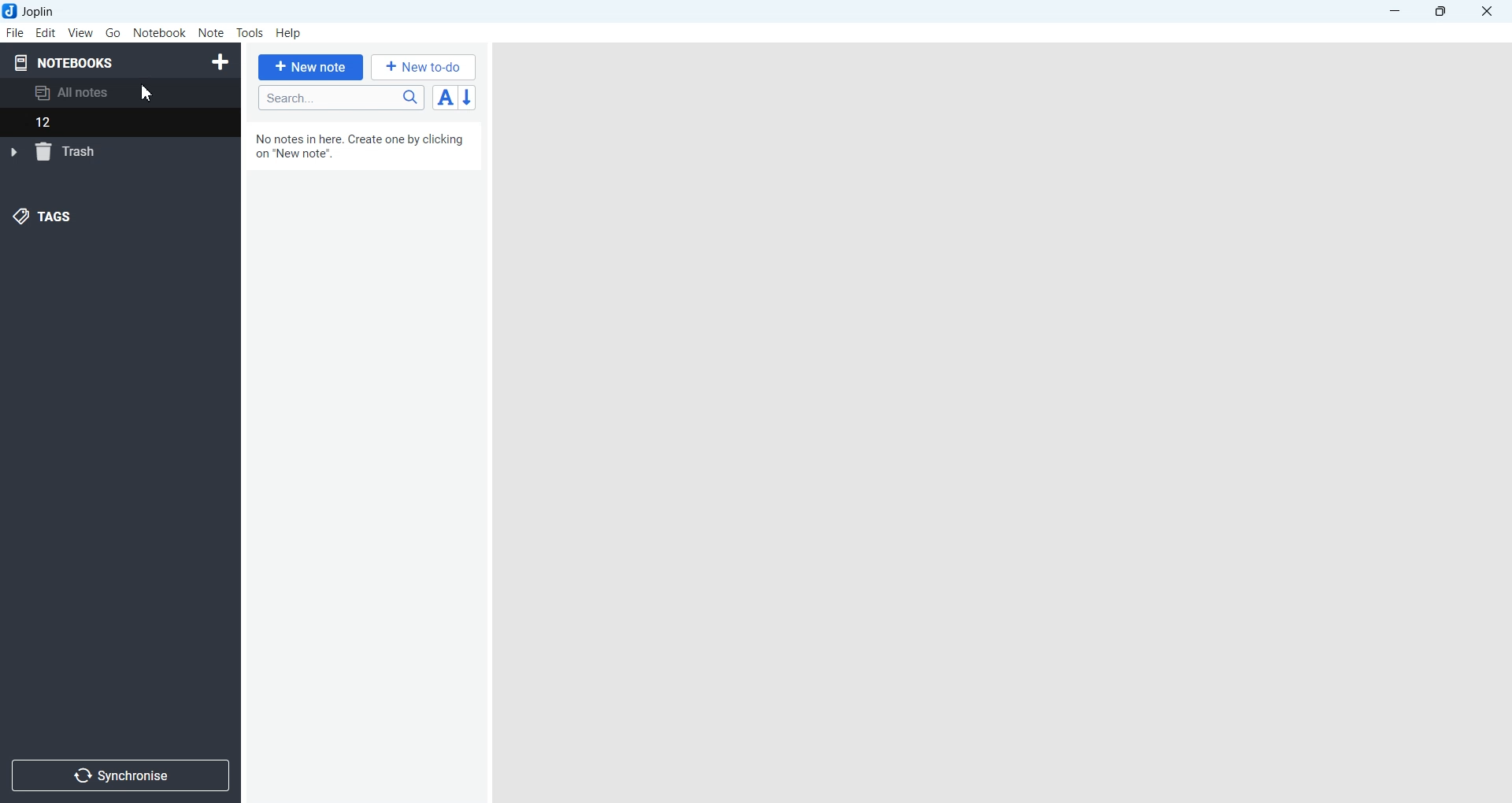  What do you see at coordinates (221, 60) in the screenshot?
I see `Create Notebook` at bounding box center [221, 60].